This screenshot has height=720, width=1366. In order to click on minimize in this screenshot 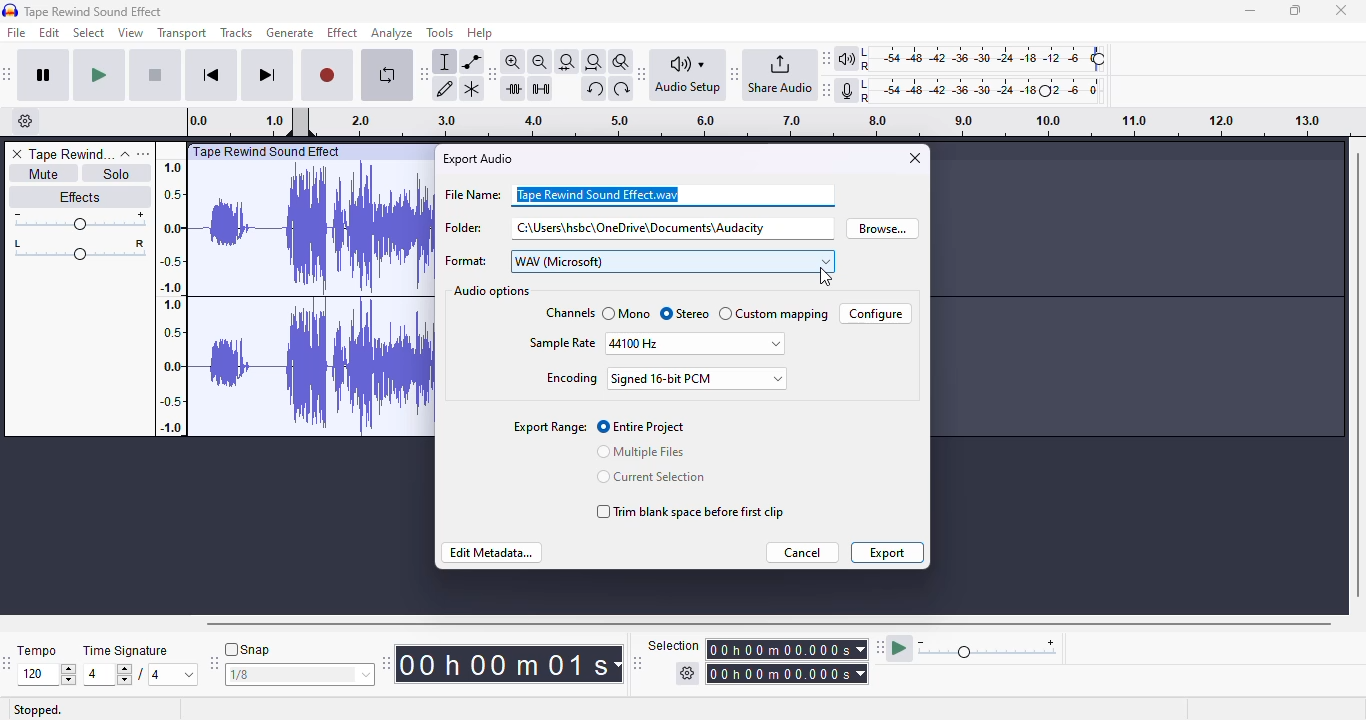, I will do `click(1249, 11)`.